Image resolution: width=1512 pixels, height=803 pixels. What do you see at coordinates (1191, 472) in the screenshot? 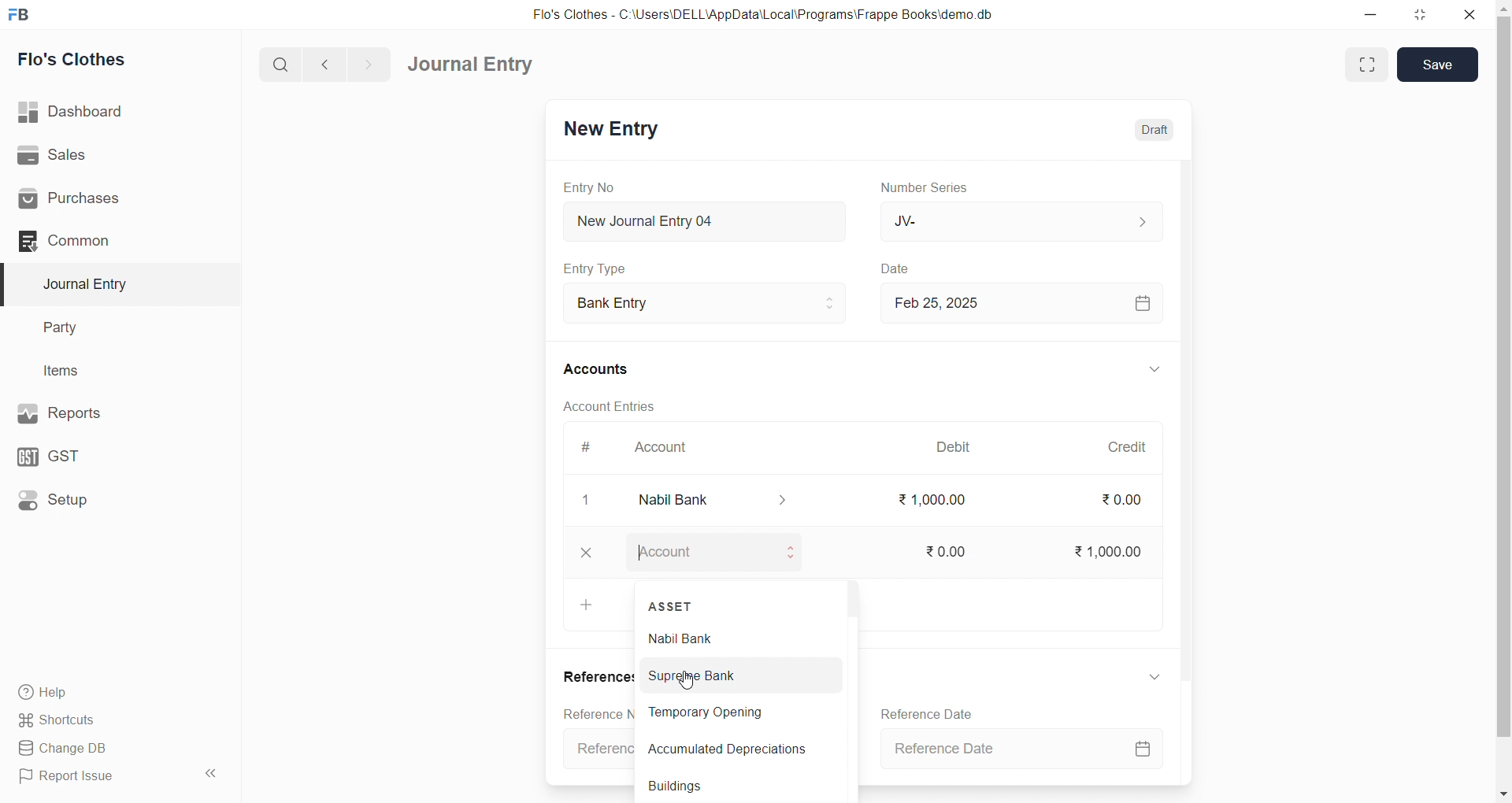
I see `Scroll bar` at bounding box center [1191, 472].